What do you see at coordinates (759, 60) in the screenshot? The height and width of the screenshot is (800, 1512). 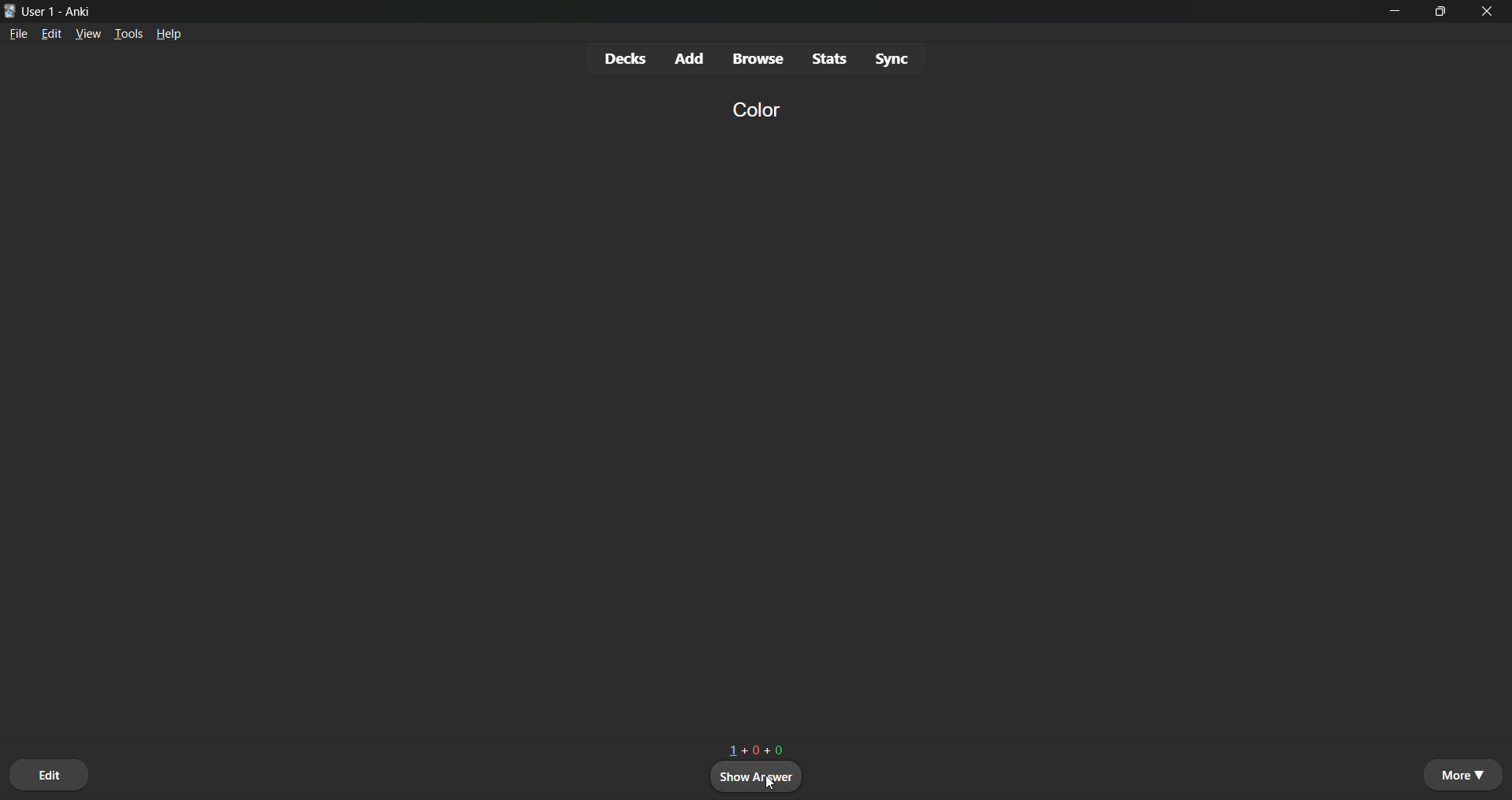 I see `browse` at bounding box center [759, 60].